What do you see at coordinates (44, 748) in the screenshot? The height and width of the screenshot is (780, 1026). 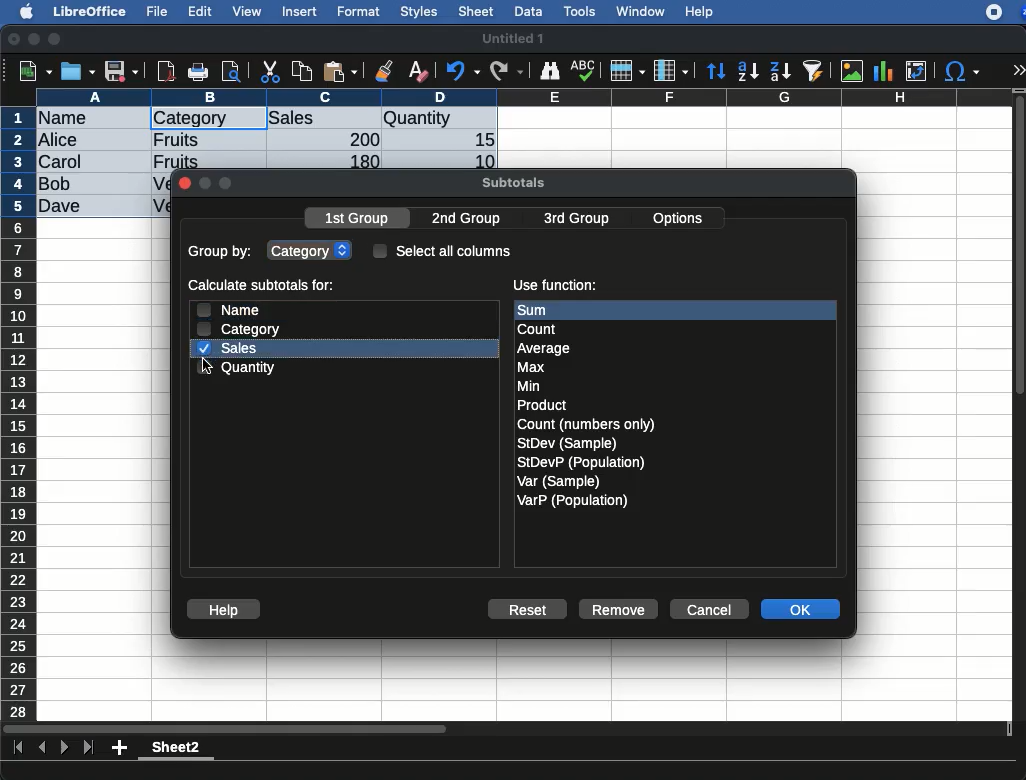 I see `previous sheet` at bounding box center [44, 748].